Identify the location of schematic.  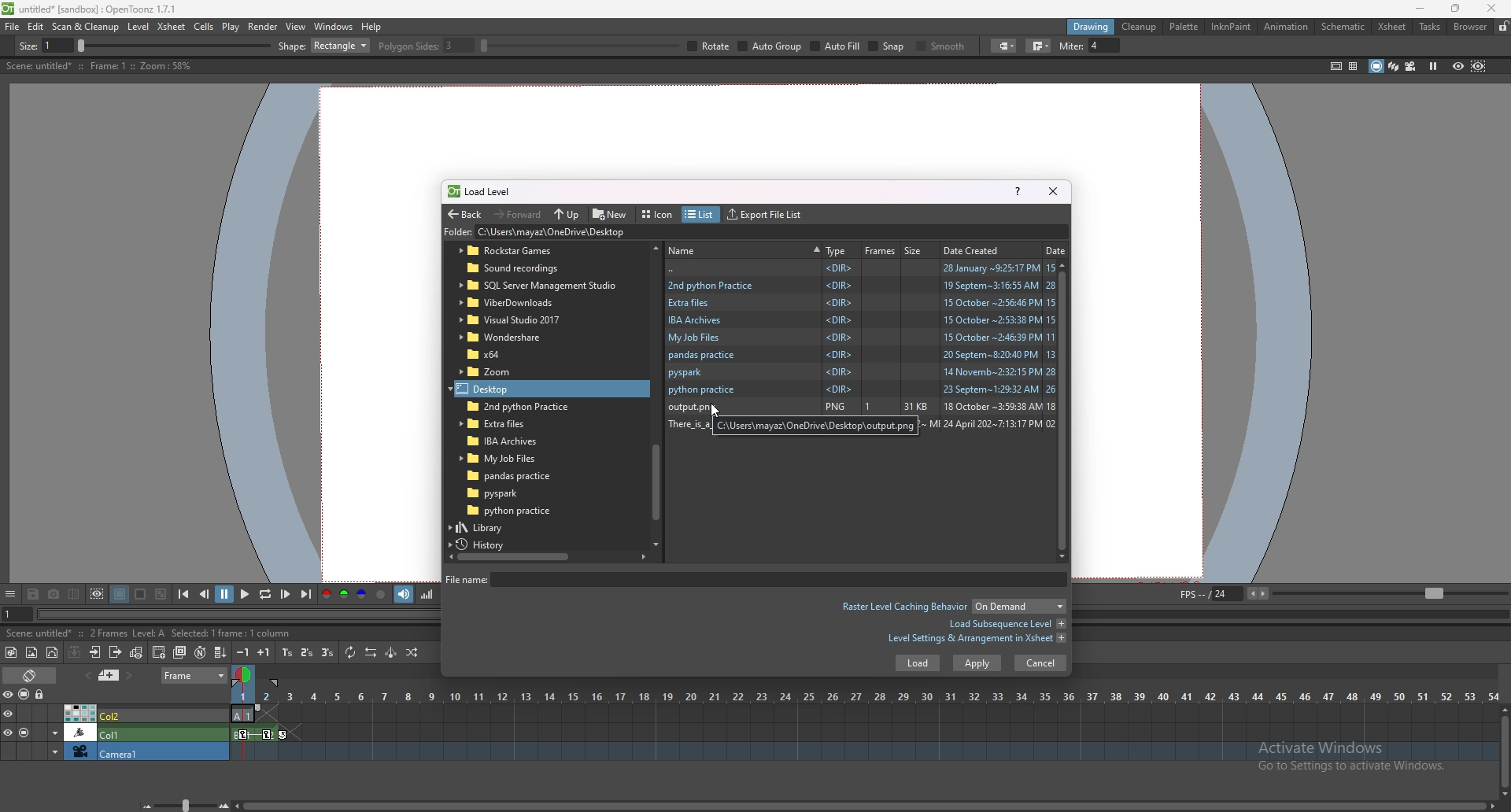
(1343, 25).